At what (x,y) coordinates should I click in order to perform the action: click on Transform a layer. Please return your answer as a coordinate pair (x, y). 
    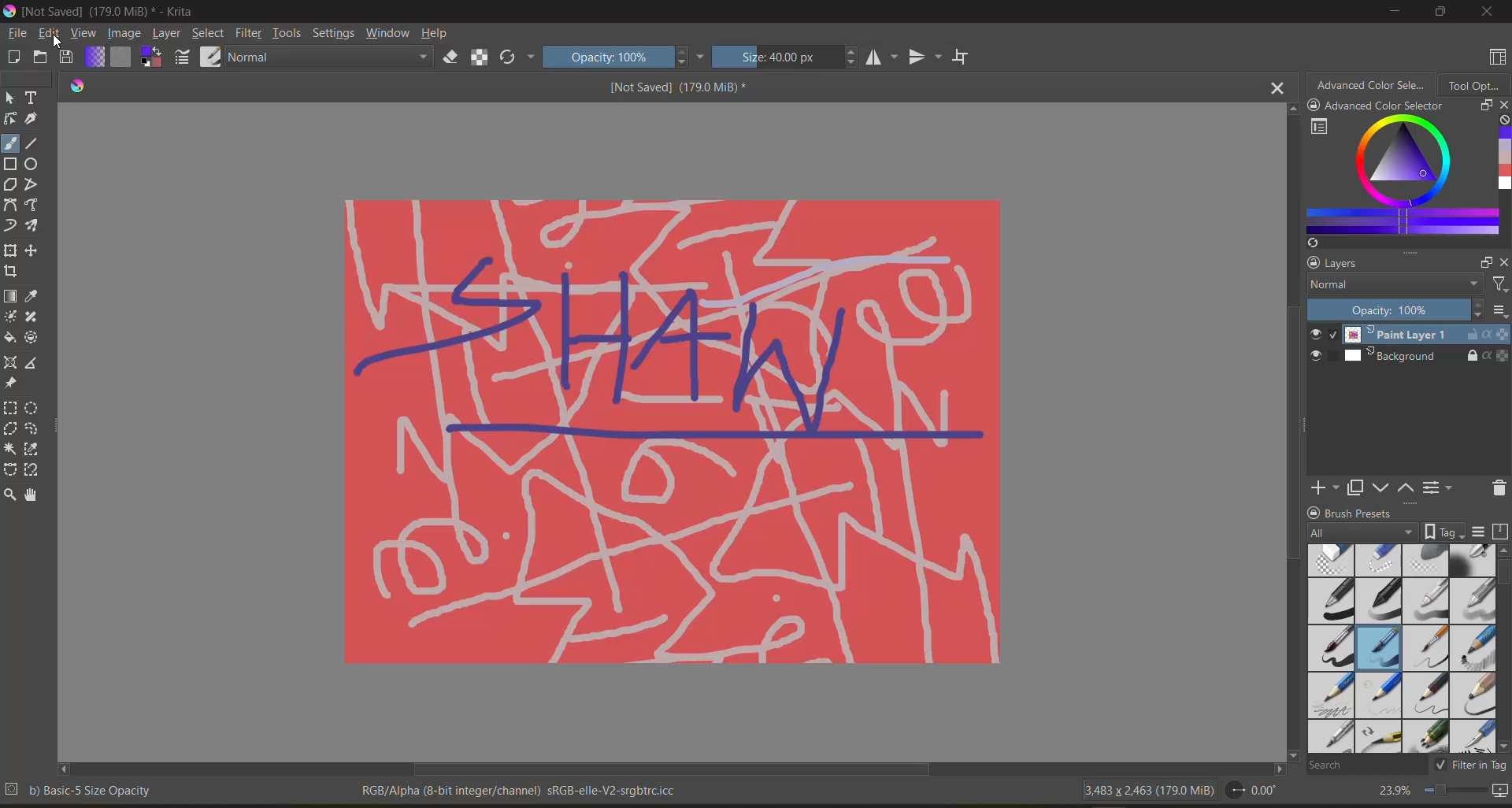
    Looking at the image, I should click on (10, 250).